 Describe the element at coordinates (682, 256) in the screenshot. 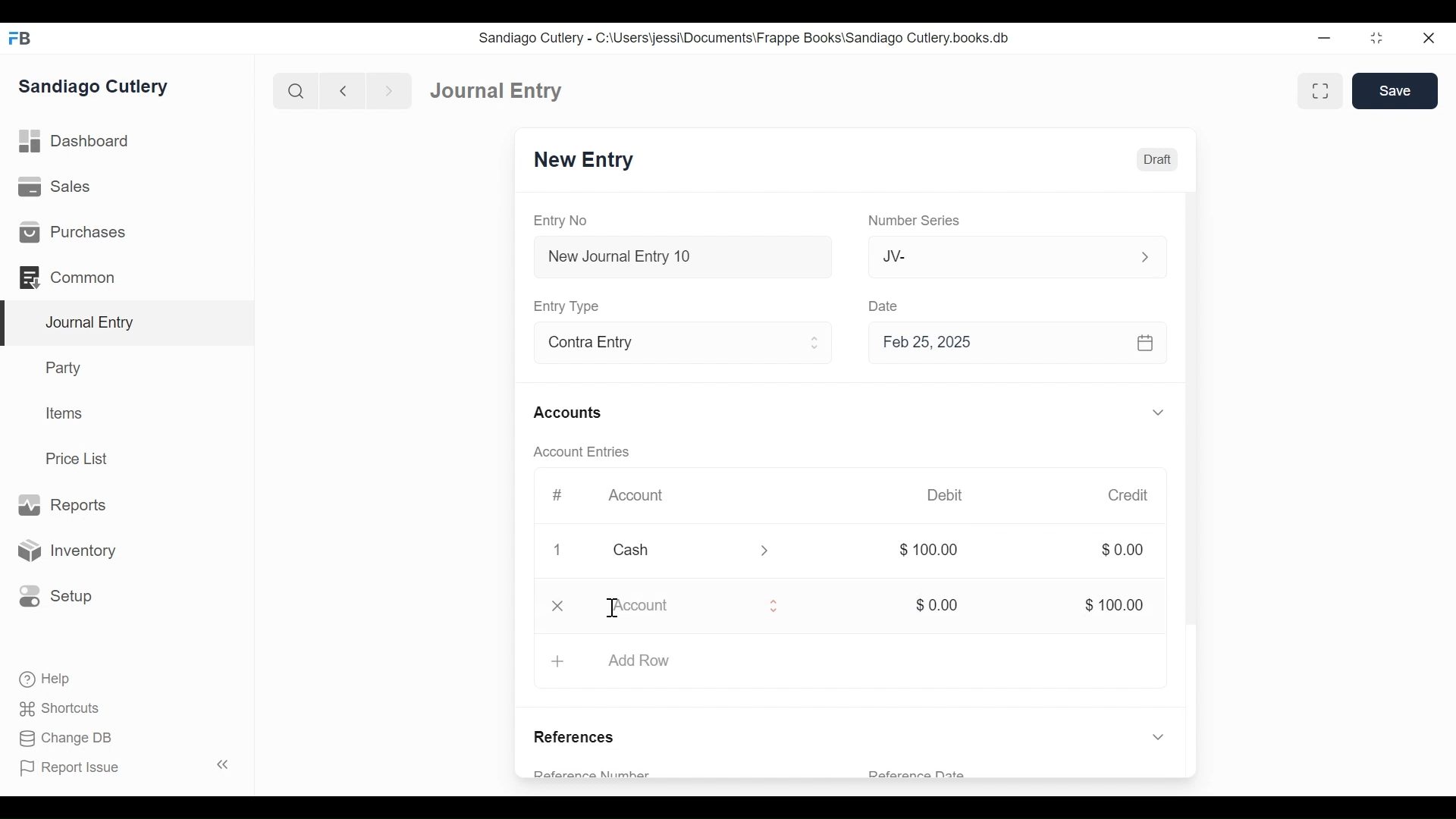

I see `New Journal Entry 10` at that location.